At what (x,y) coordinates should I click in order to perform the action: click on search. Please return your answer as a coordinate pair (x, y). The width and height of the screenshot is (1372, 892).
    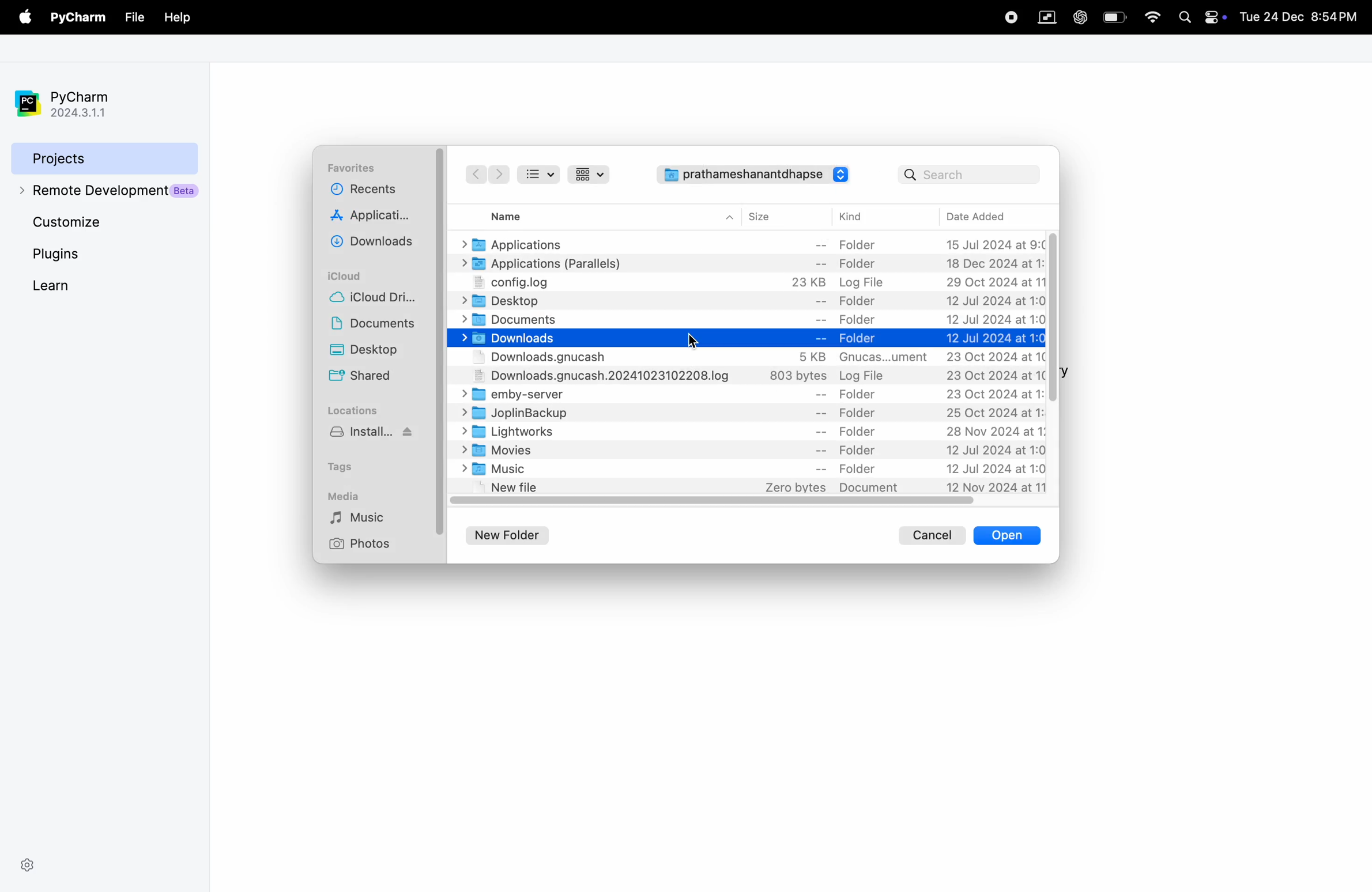
    Looking at the image, I should click on (969, 174).